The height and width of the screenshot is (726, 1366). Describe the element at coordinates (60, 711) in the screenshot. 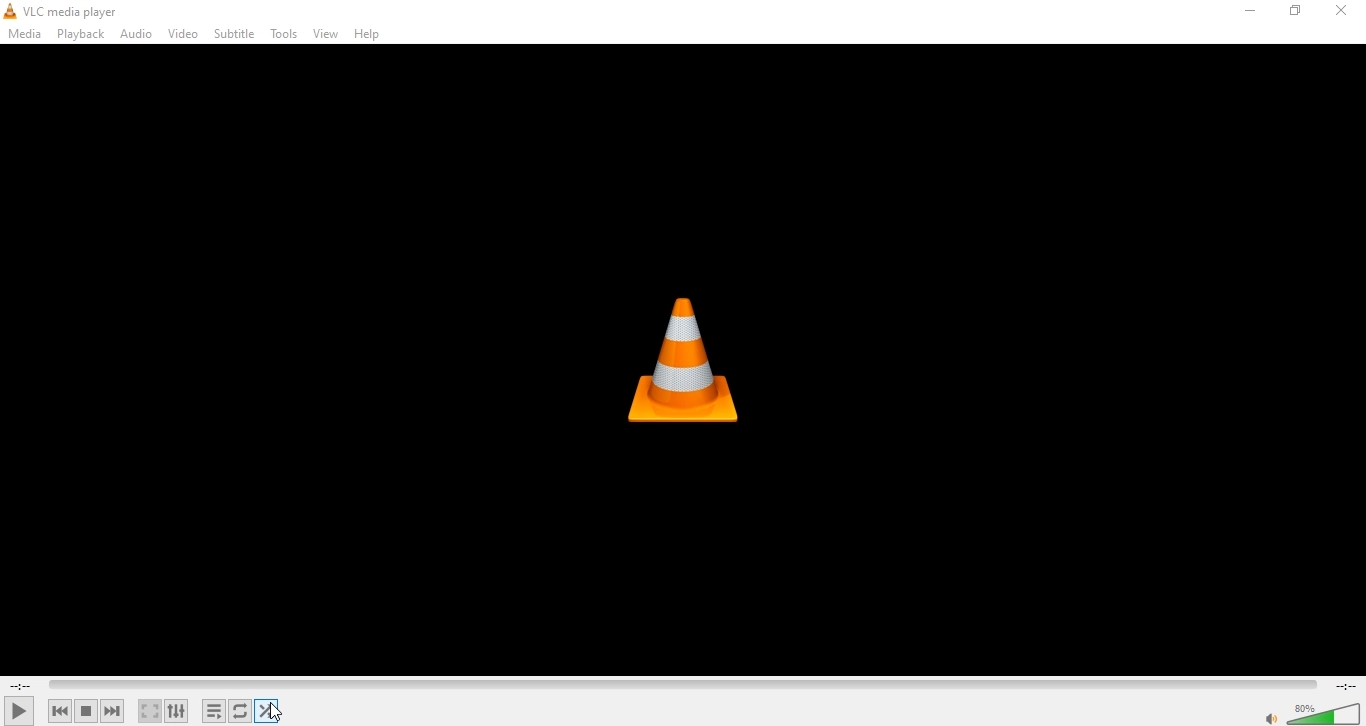

I see `previous media in the playlist` at that location.